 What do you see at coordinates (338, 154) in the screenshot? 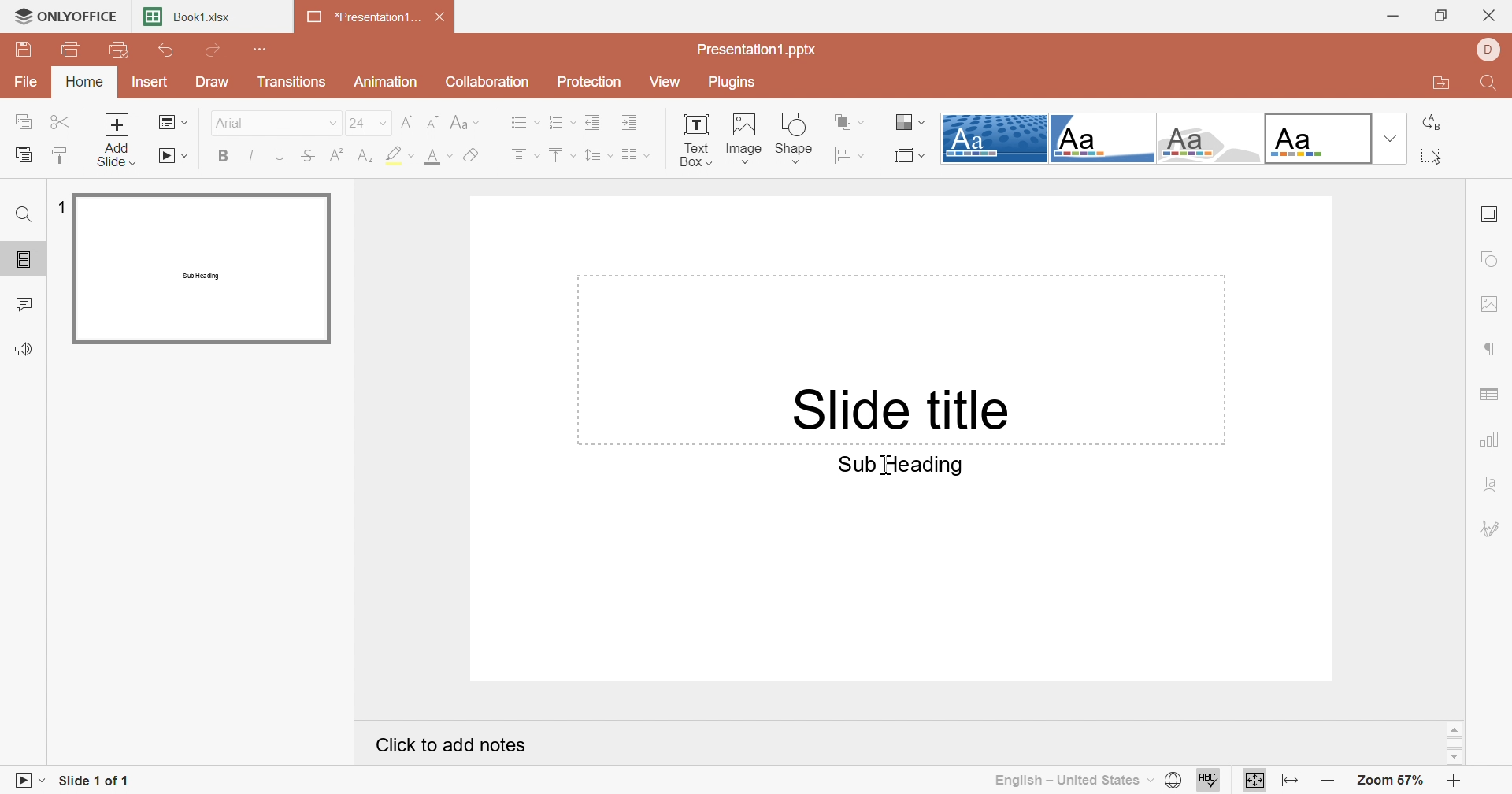
I see `Superscript` at bounding box center [338, 154].